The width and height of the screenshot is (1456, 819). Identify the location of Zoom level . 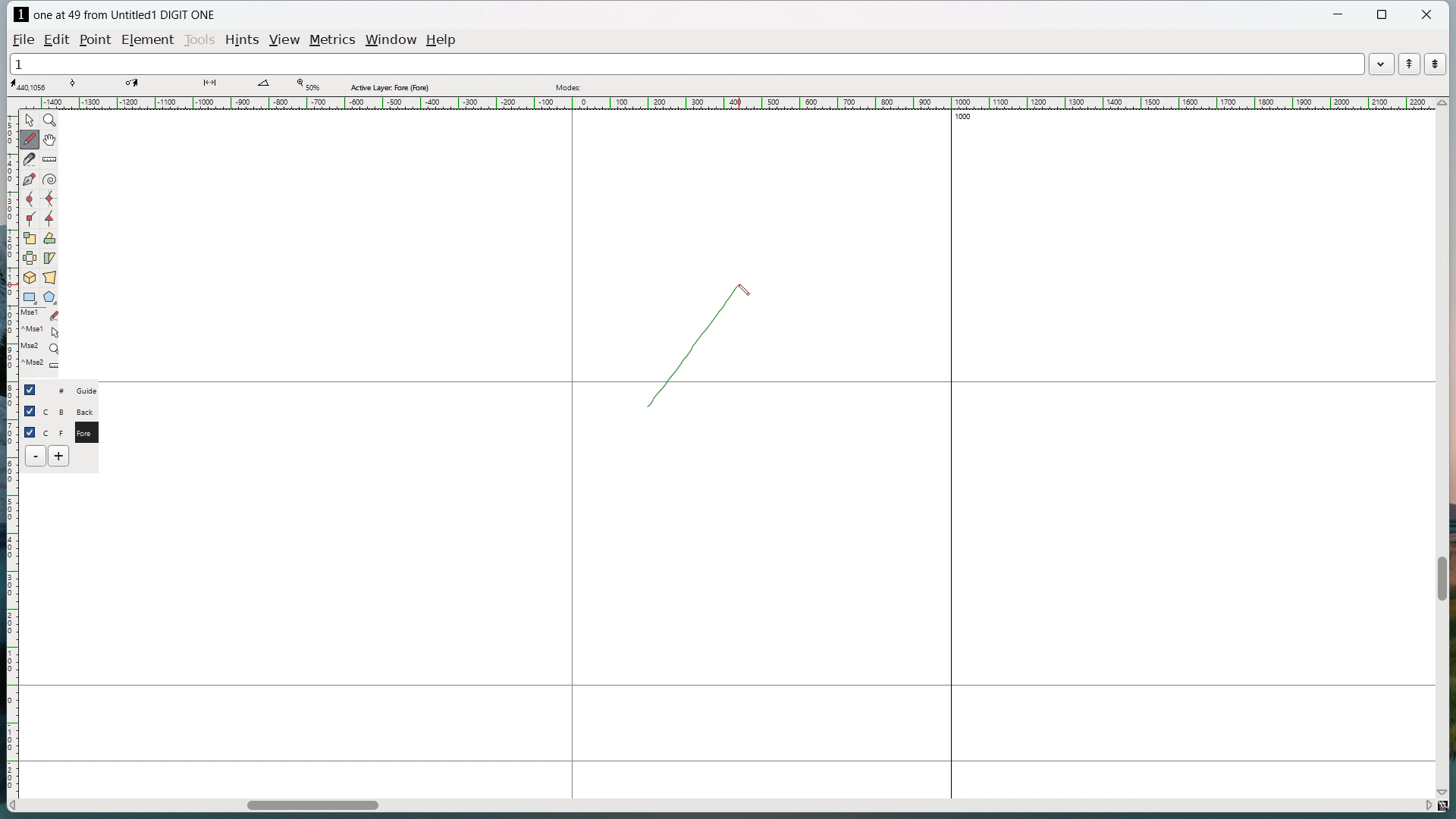
(307, 85).